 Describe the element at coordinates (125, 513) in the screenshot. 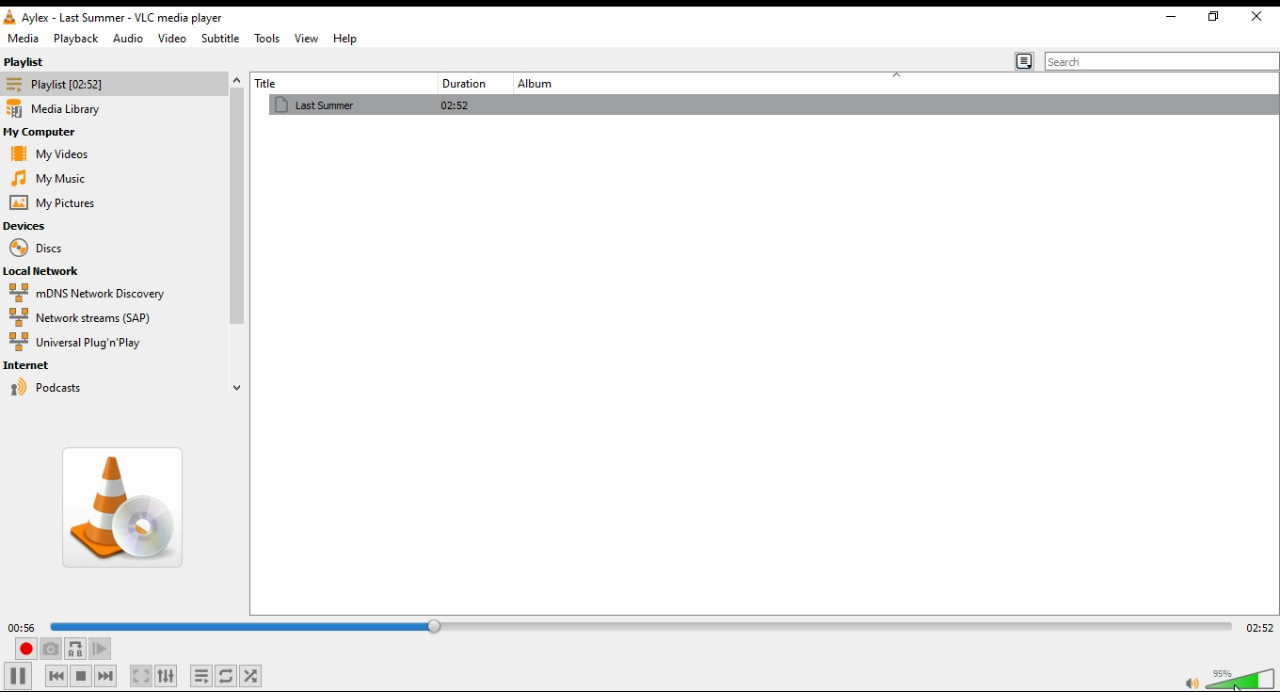

I see `album art` at that location.